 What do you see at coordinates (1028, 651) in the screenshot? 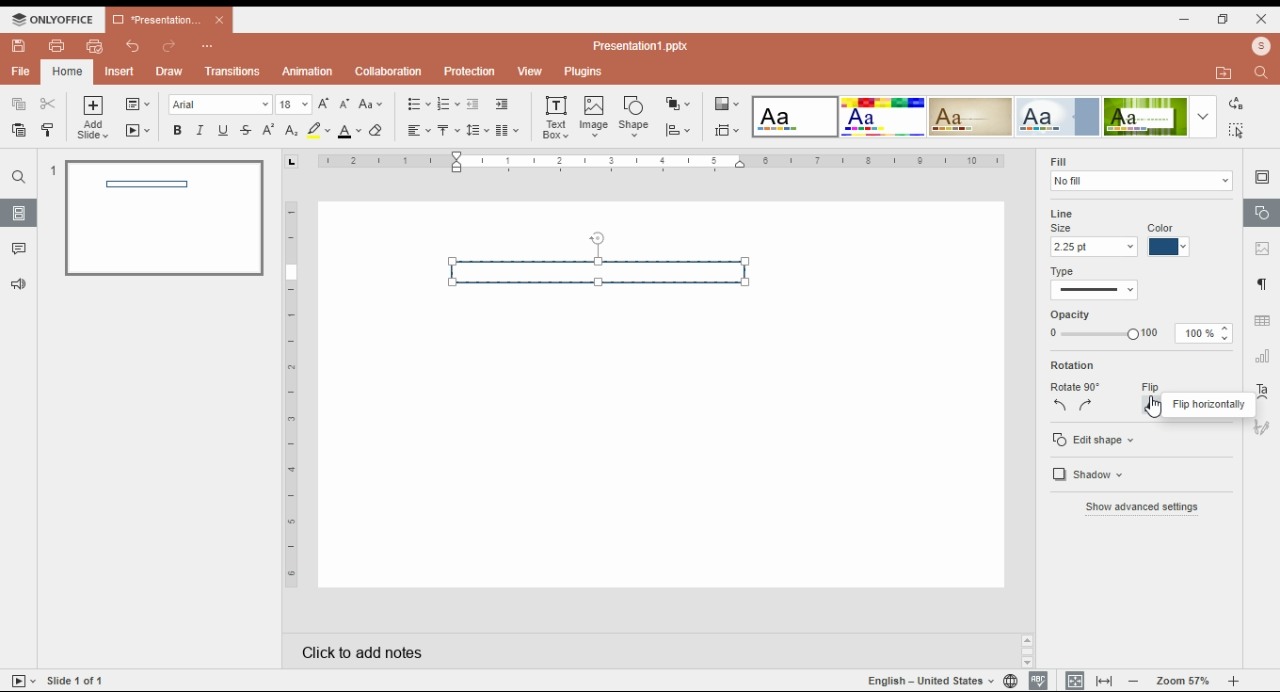
I see `scrollbar` at bounding box center [1028, 651].